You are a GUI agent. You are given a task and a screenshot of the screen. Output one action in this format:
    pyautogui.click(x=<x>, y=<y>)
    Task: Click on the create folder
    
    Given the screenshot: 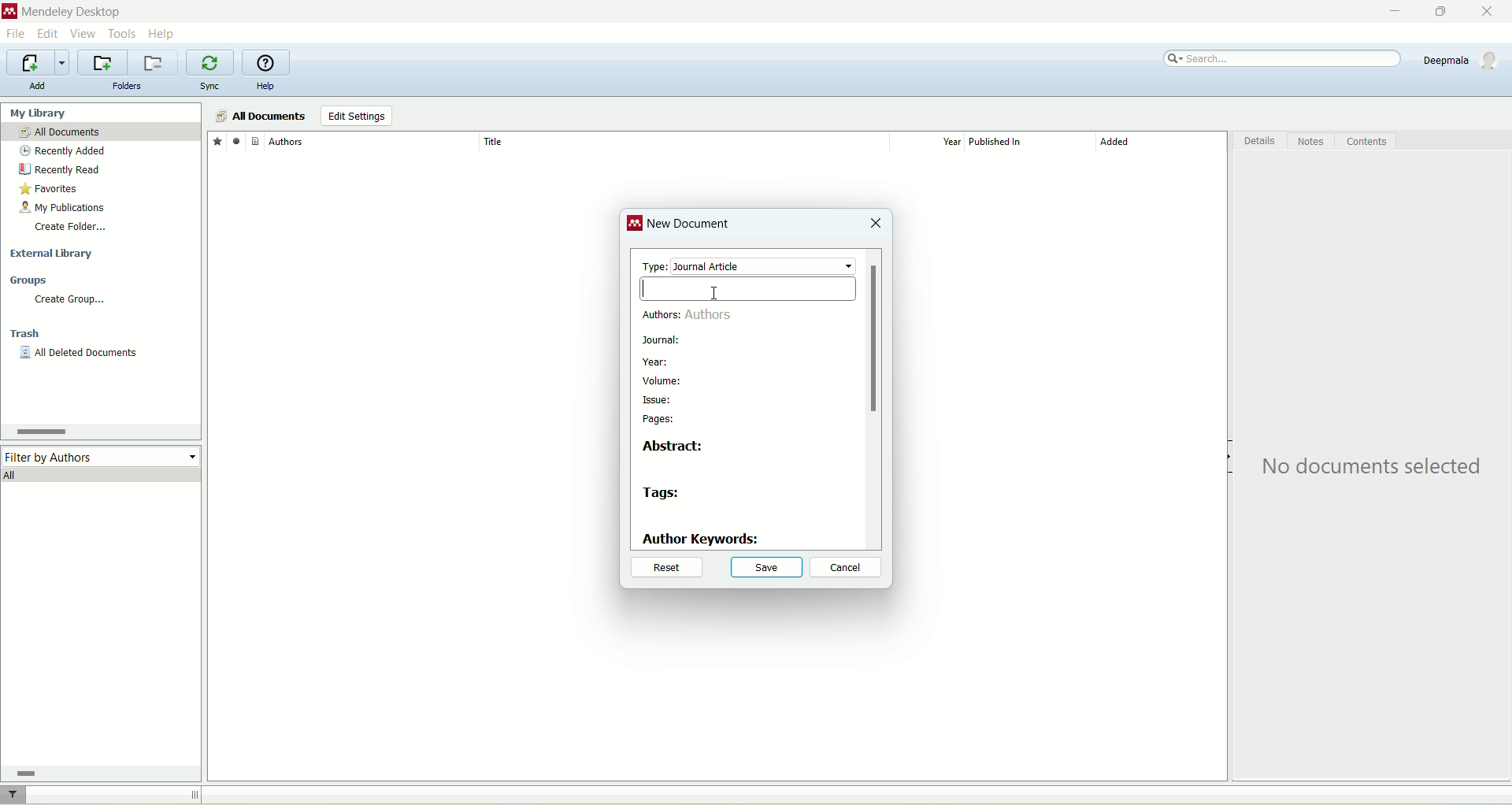 What is the action you would take?
    pyautogui.click(x=70, y=226)
    